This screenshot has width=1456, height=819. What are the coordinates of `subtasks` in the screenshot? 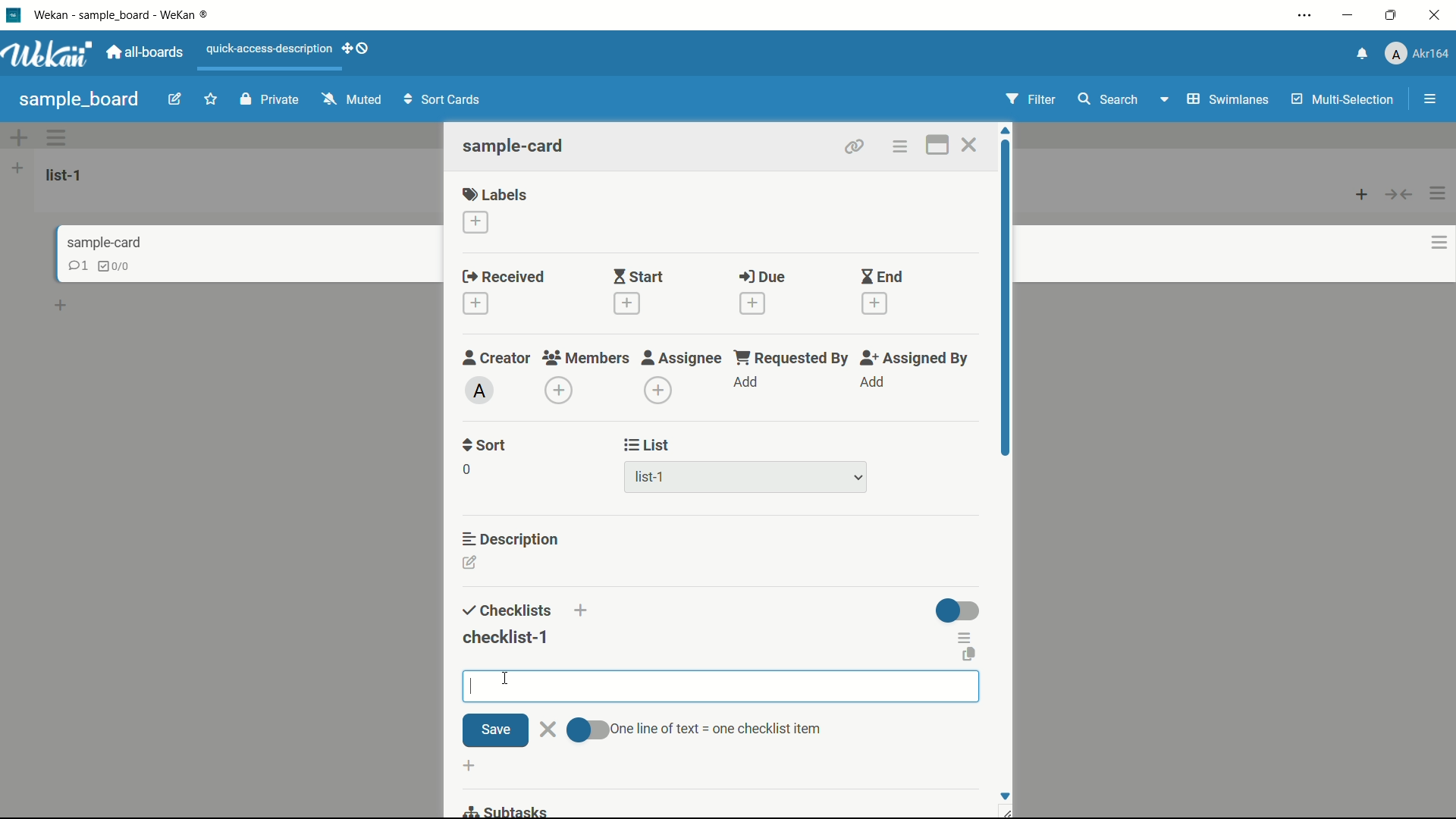 It's located at (518, 808).